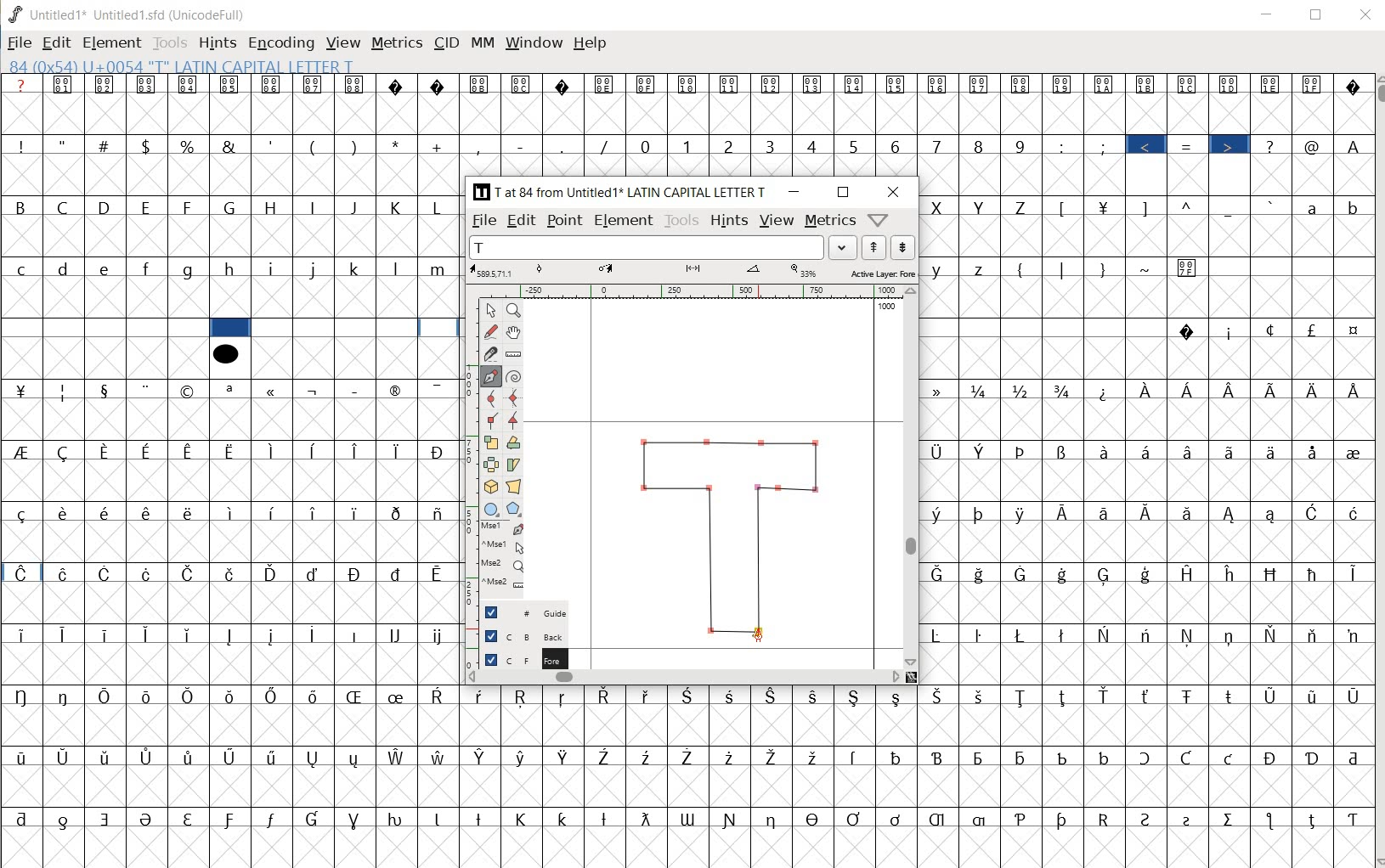 Image resolution: width=1385 pixels, height=868 pixels. What do you see at coordinates (521, 145) in the screenshot?
I see `-` at bounding box center [521, 145].